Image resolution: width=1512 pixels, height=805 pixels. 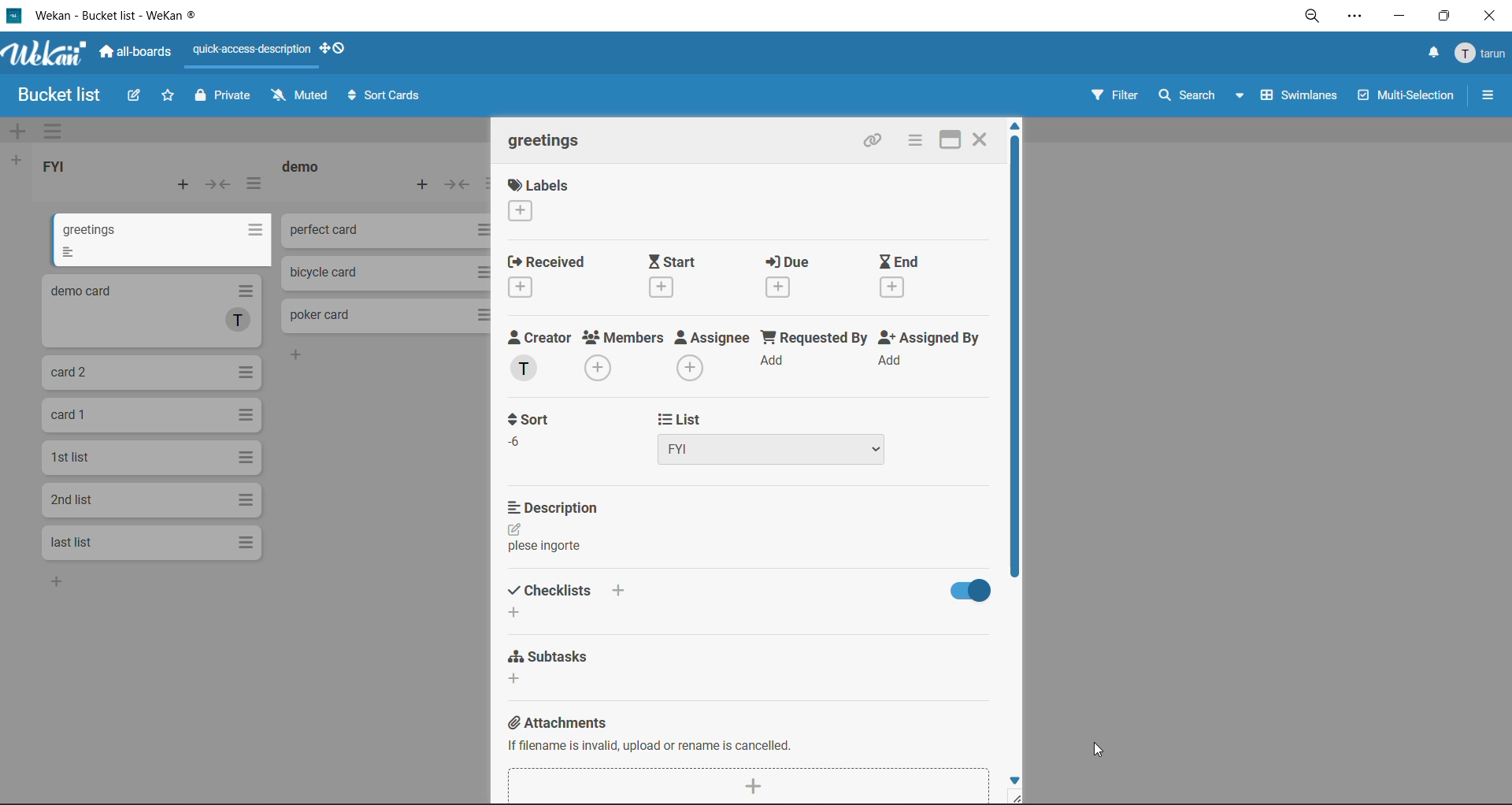 What do you see at coordinates (557, 722) in the screenshot?
I see `attachments` at bounding box center [557, 722].